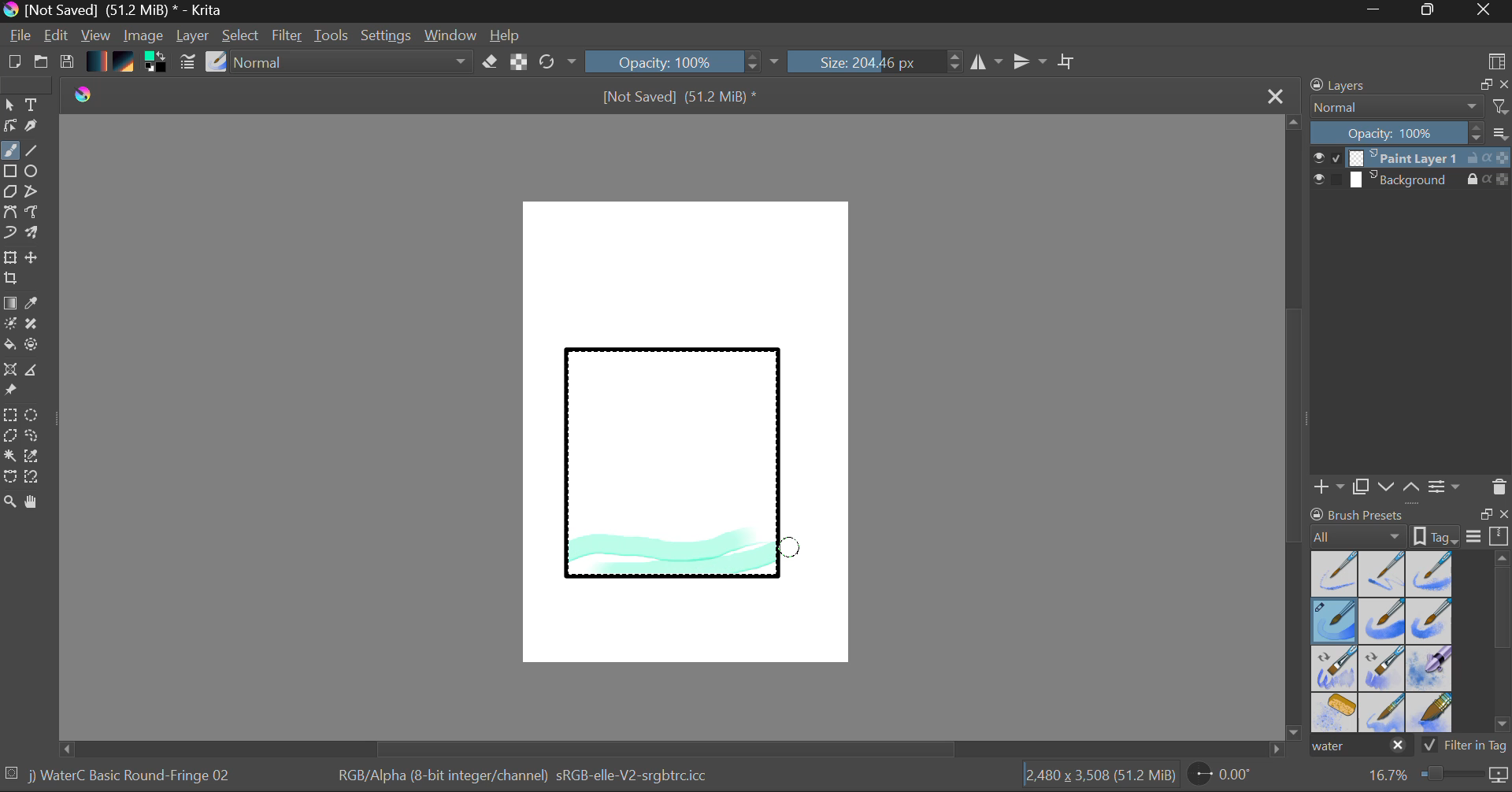  I want to click on Water C - Special Blobs, so click(1430, 670).